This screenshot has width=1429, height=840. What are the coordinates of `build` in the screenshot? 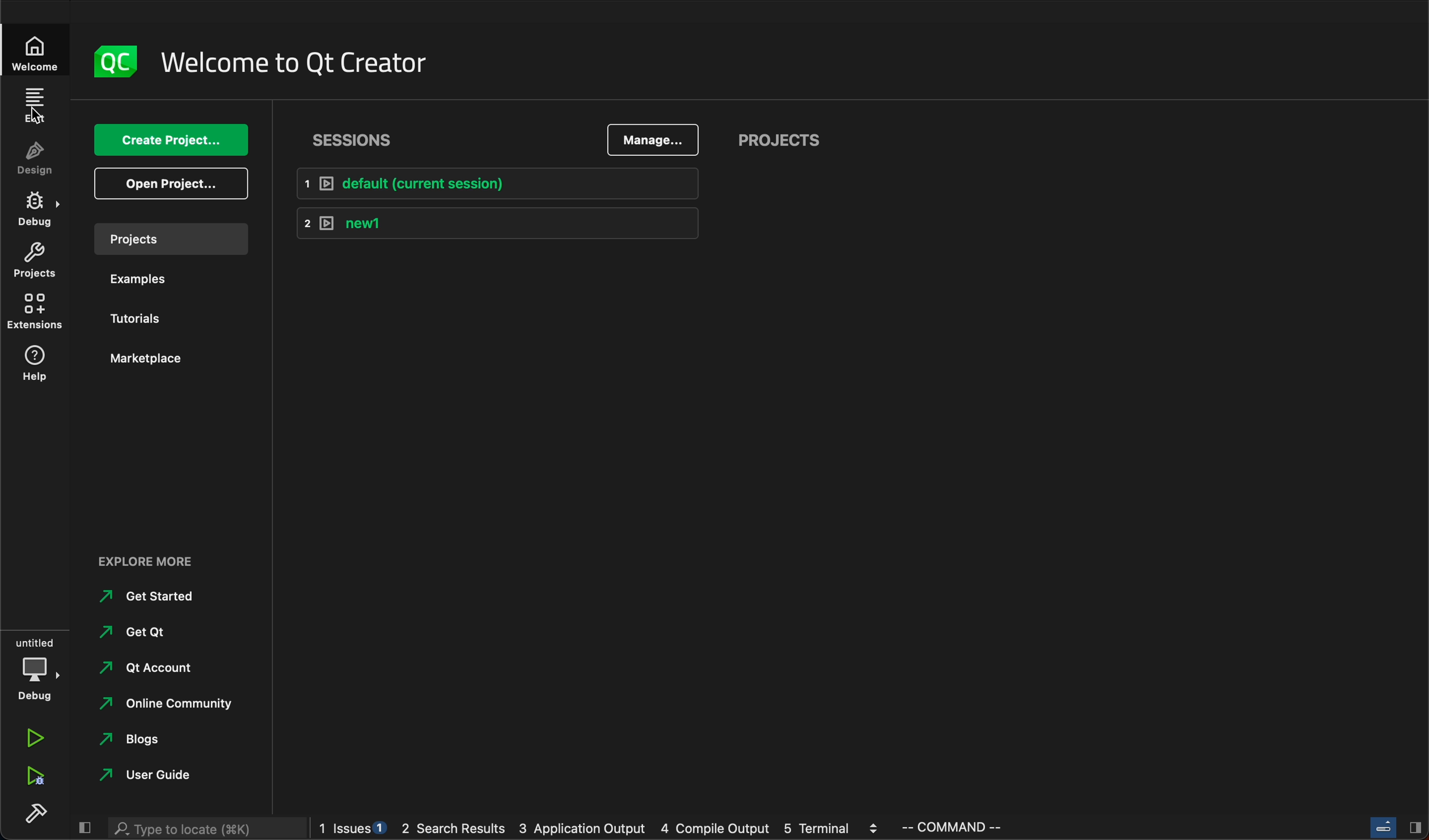 It's located at (33, 816).